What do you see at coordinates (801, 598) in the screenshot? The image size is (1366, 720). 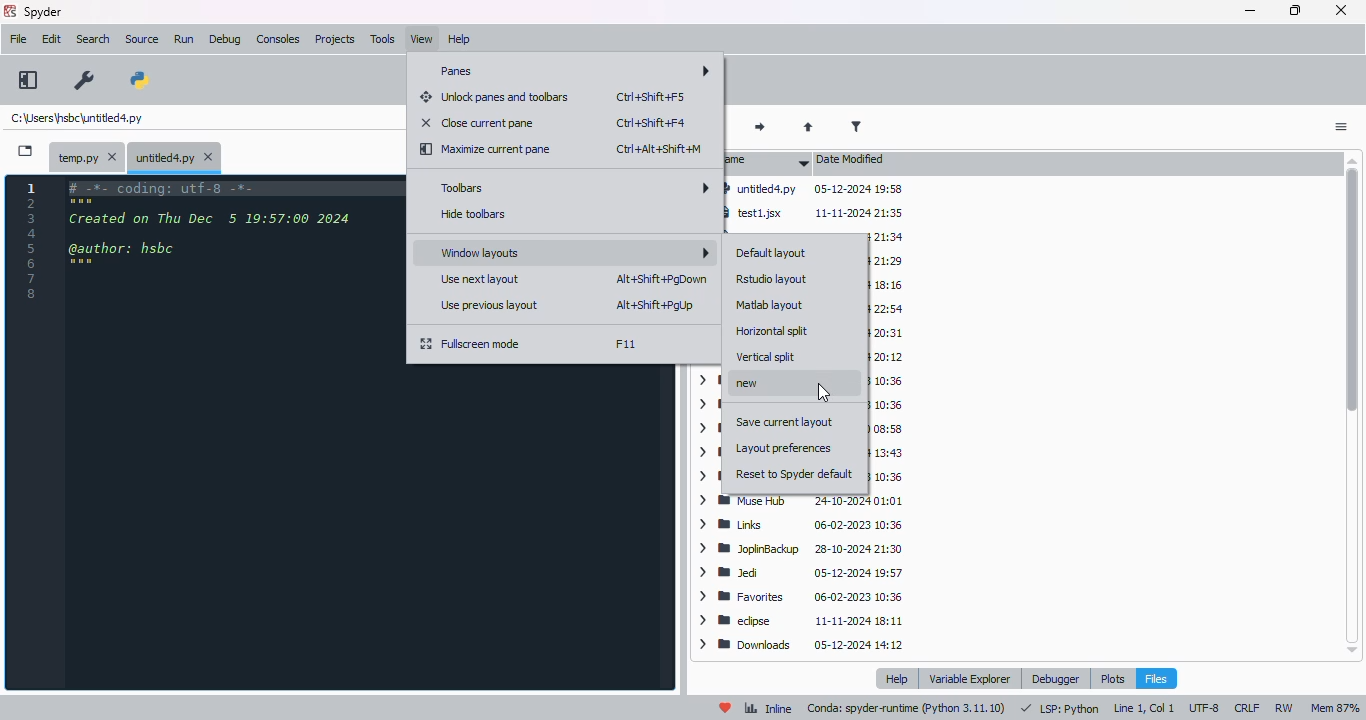 I see `Favorites` at bounding box center [801, 598].